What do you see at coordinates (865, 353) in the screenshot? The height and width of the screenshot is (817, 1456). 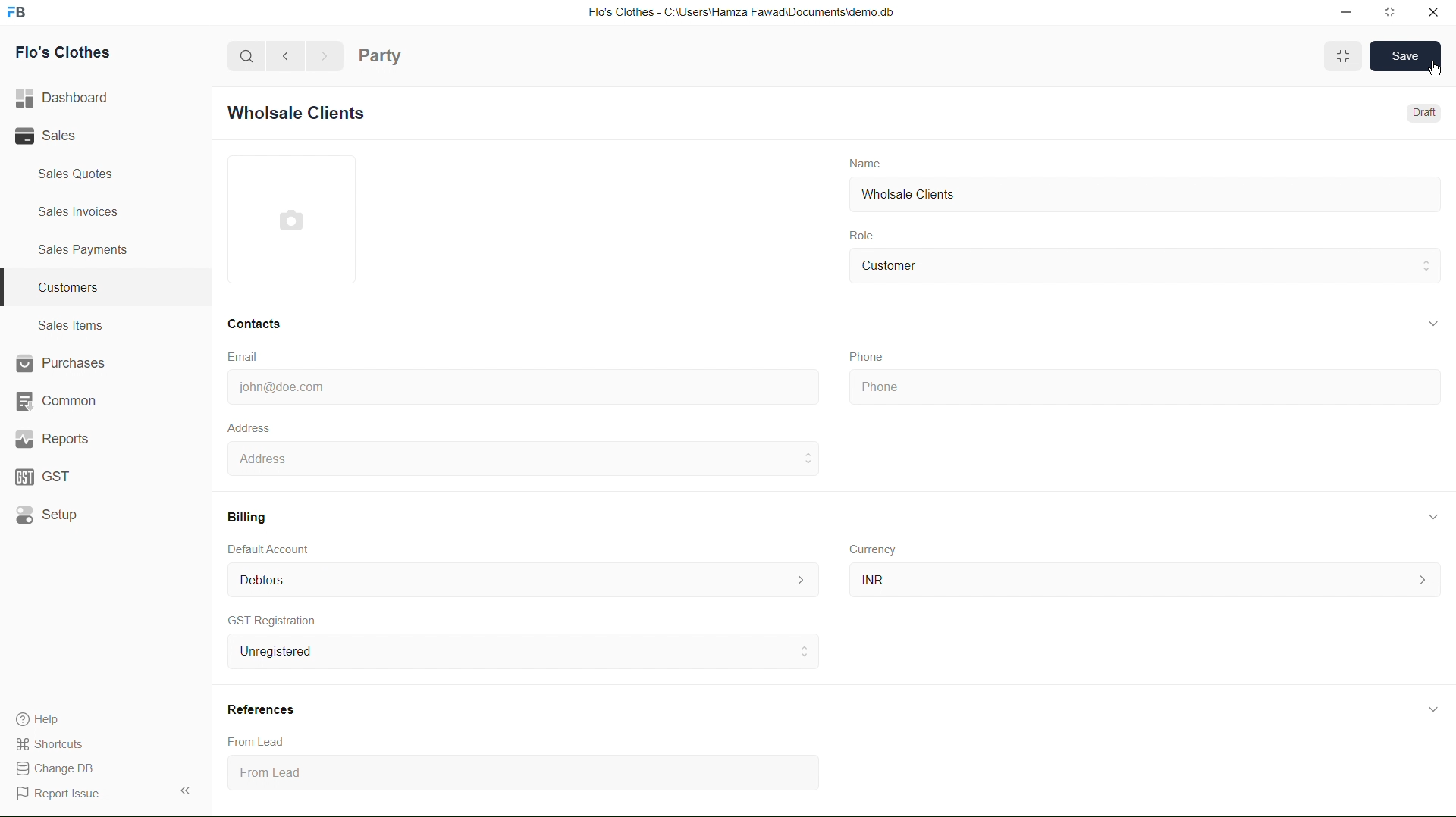 I see `Phone` at bounding box center [865, 353].